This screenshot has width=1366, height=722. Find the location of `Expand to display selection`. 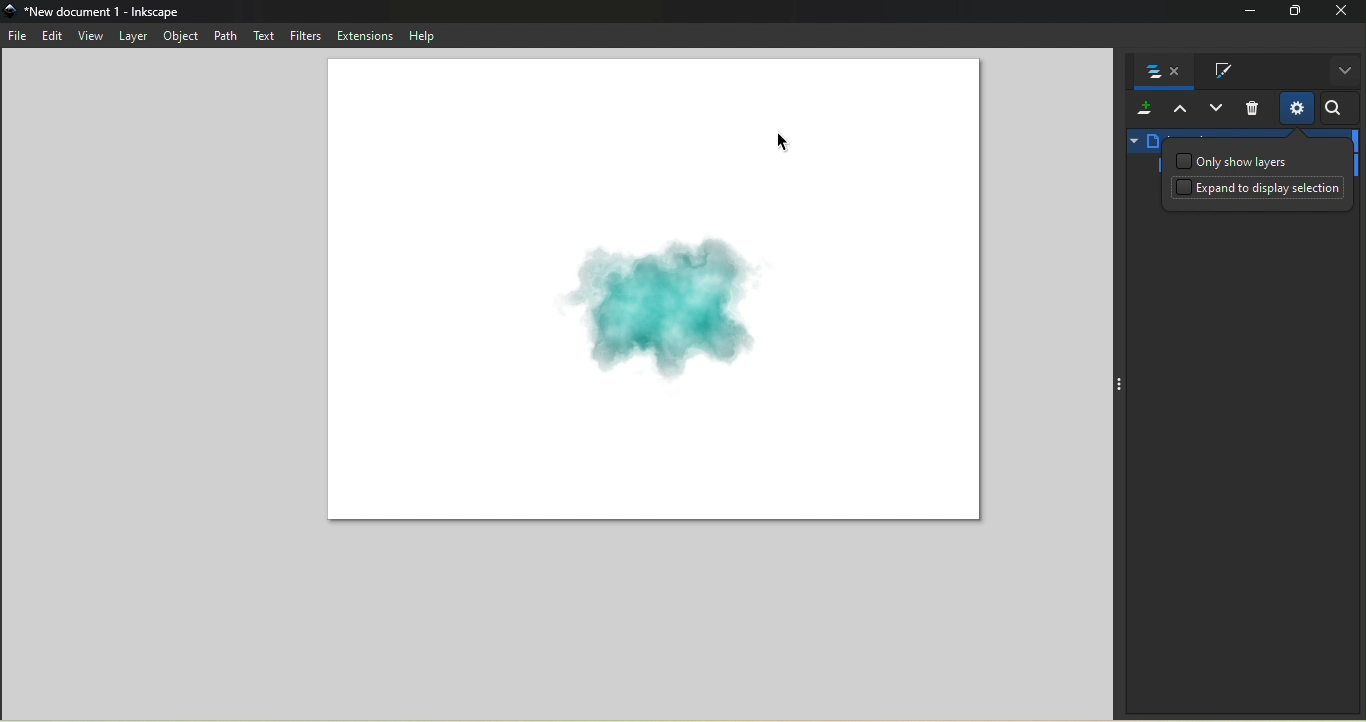

Expand to display selection is located at coordinates (1260, 191).